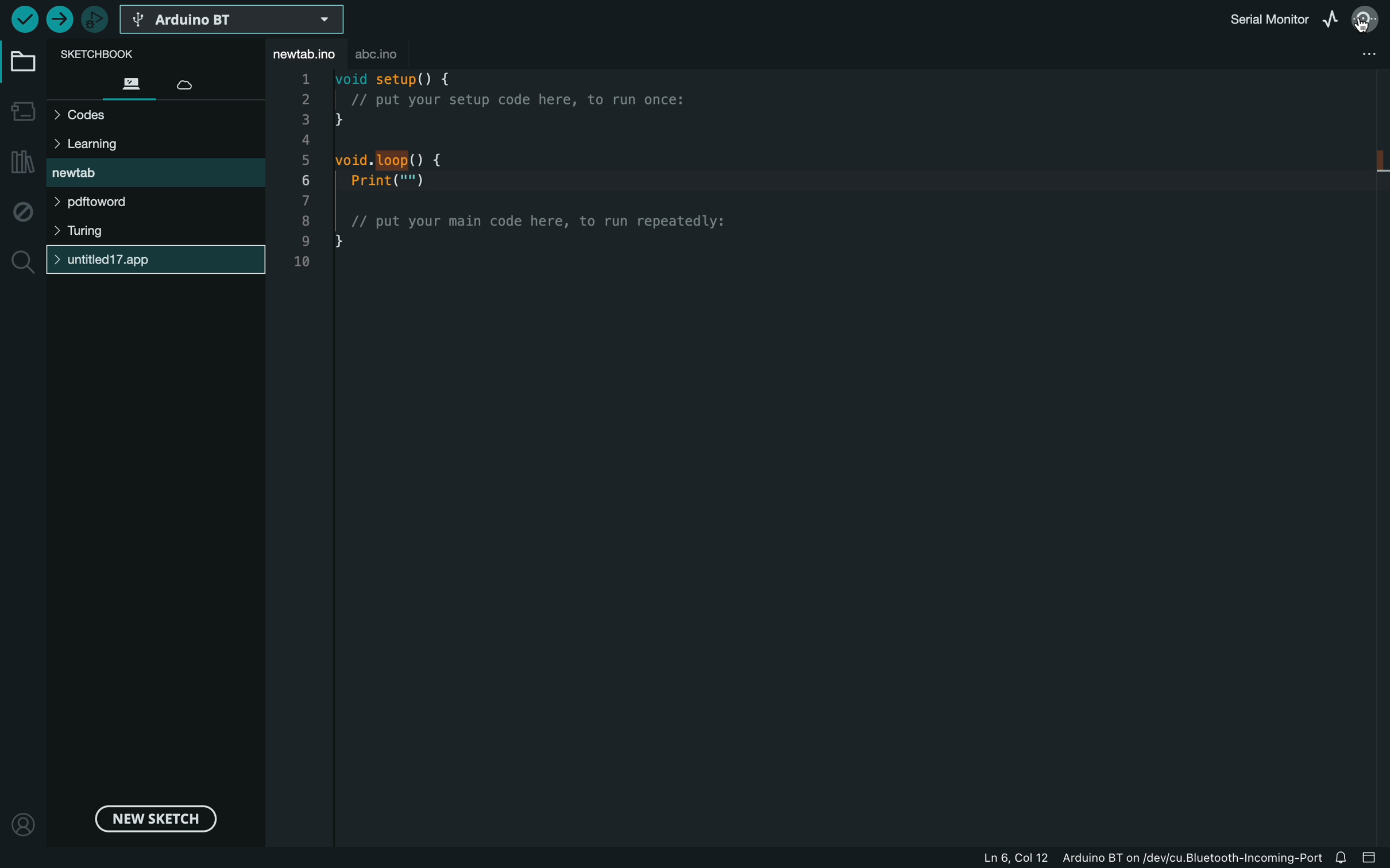  Describe the element at coordinates (605, 172) in the screenshot. I see `code` at that location.